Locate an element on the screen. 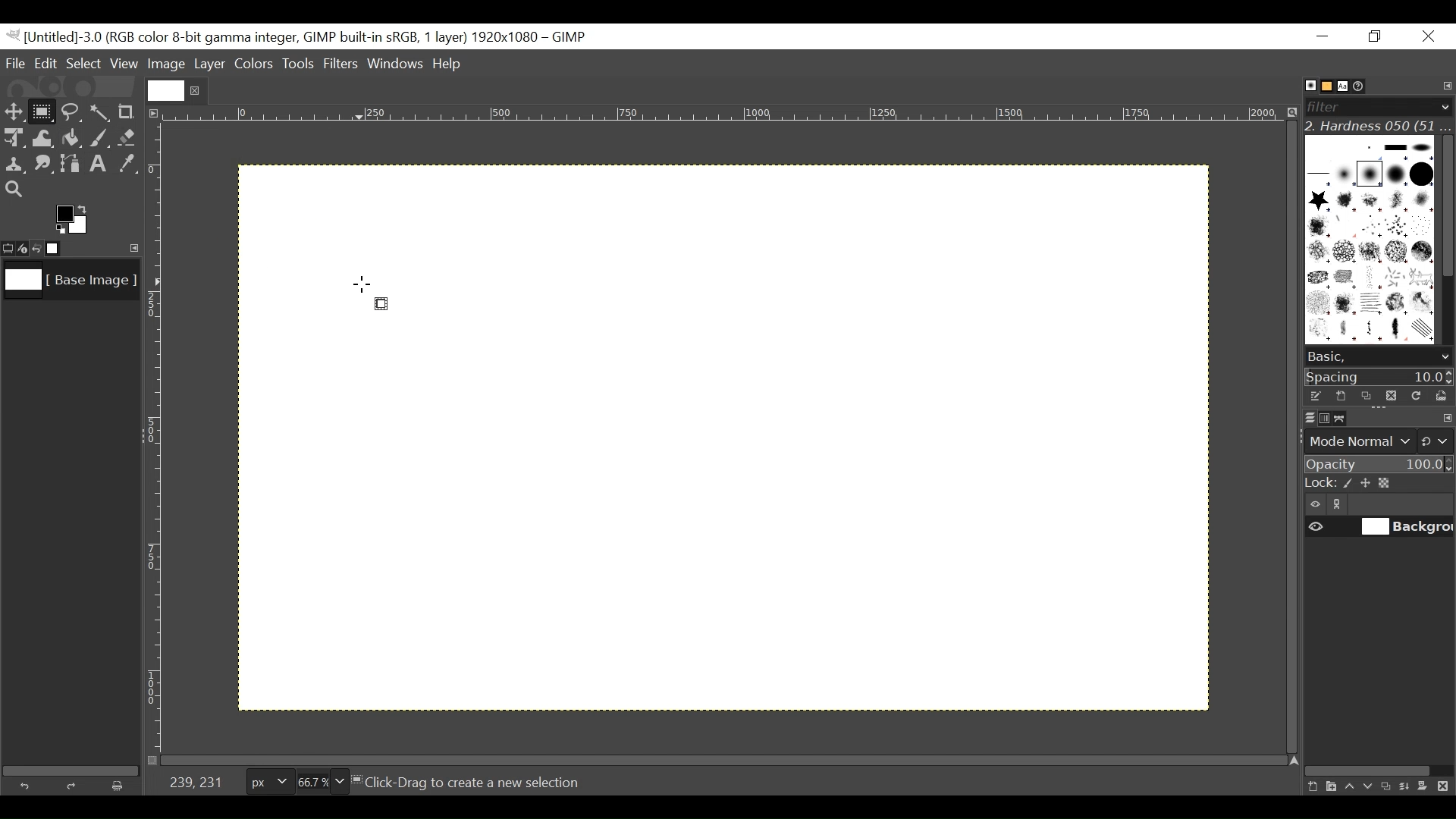 This screenshot has width=1456, height=819. Delete this layer is located at coordinates (1446, 787).